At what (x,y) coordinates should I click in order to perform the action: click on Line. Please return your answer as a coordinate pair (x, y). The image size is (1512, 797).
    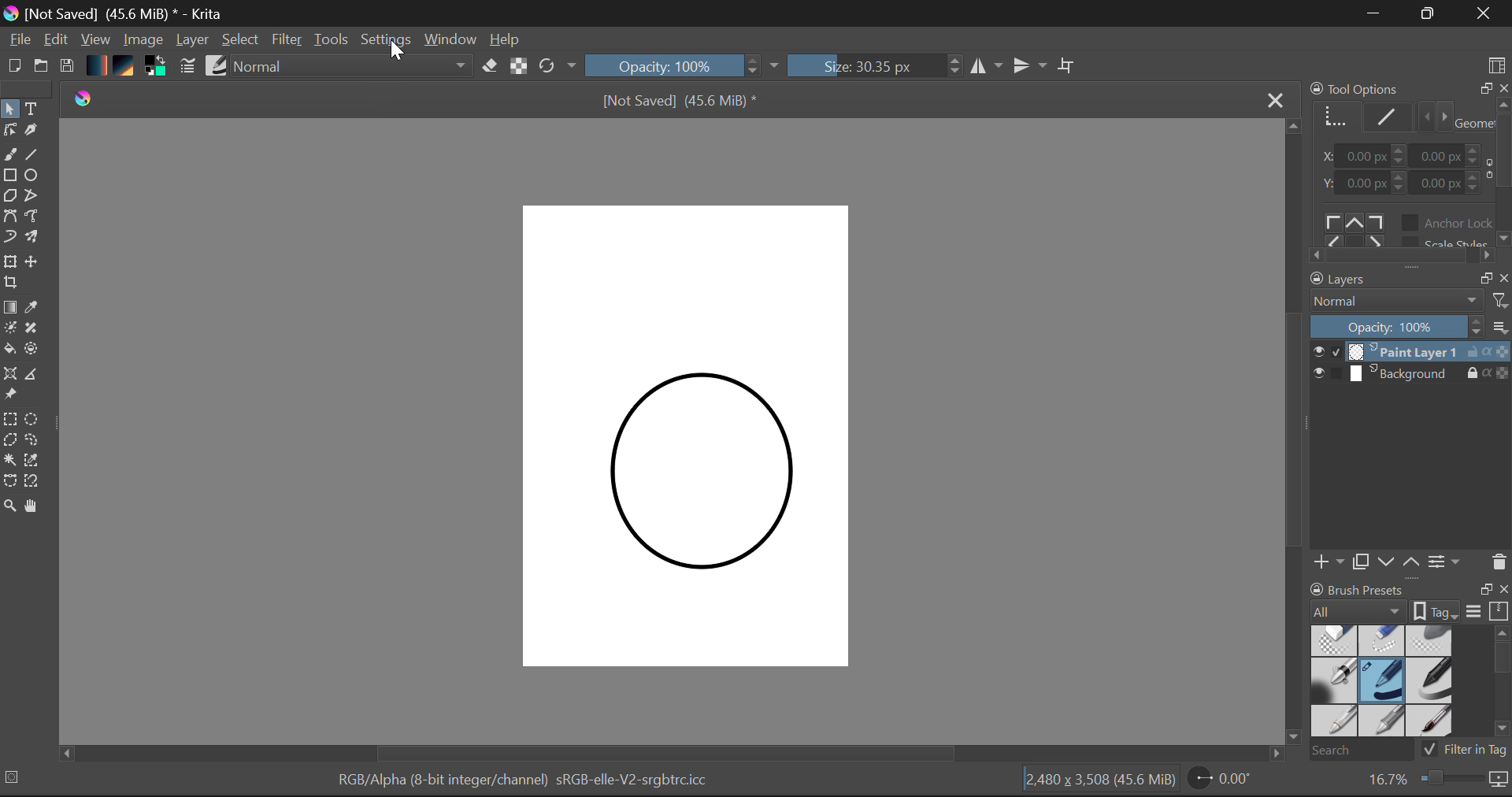
    Looking at the image, I should click on (34, 154).